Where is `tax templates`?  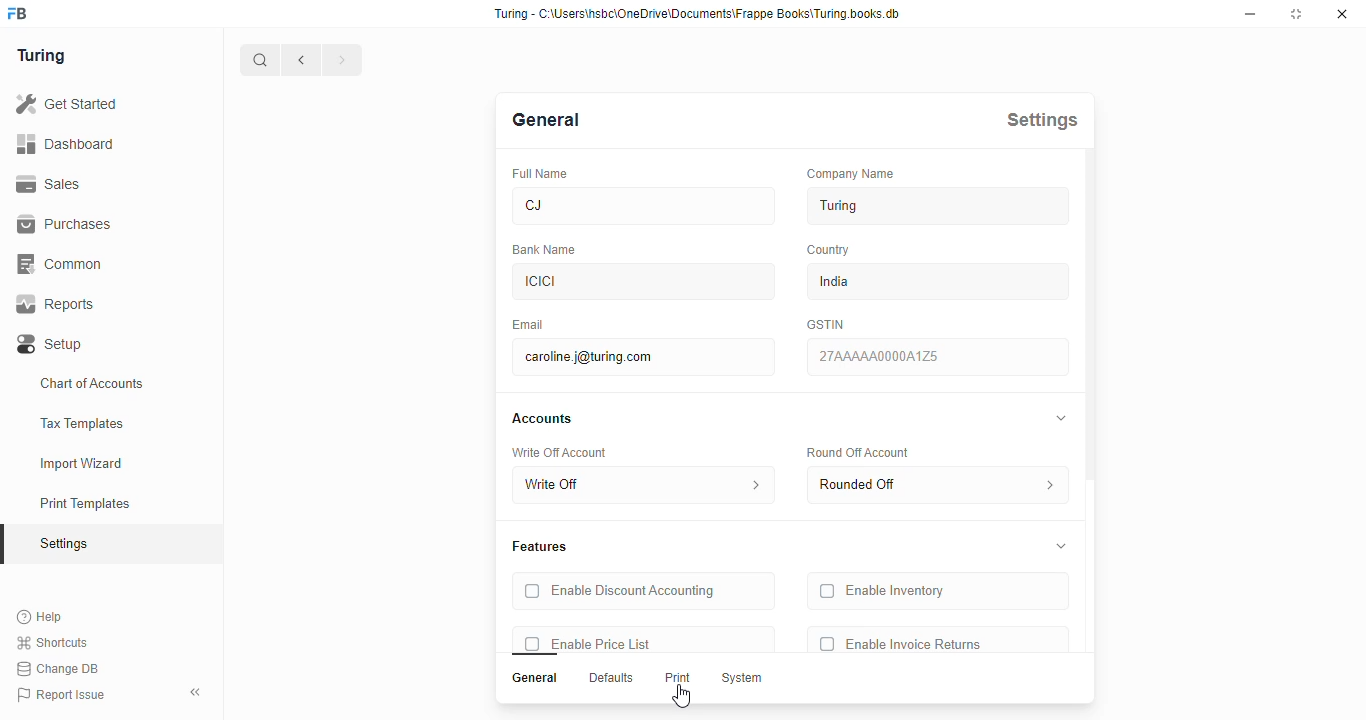
tax templates is located at coordinates (81, 423).